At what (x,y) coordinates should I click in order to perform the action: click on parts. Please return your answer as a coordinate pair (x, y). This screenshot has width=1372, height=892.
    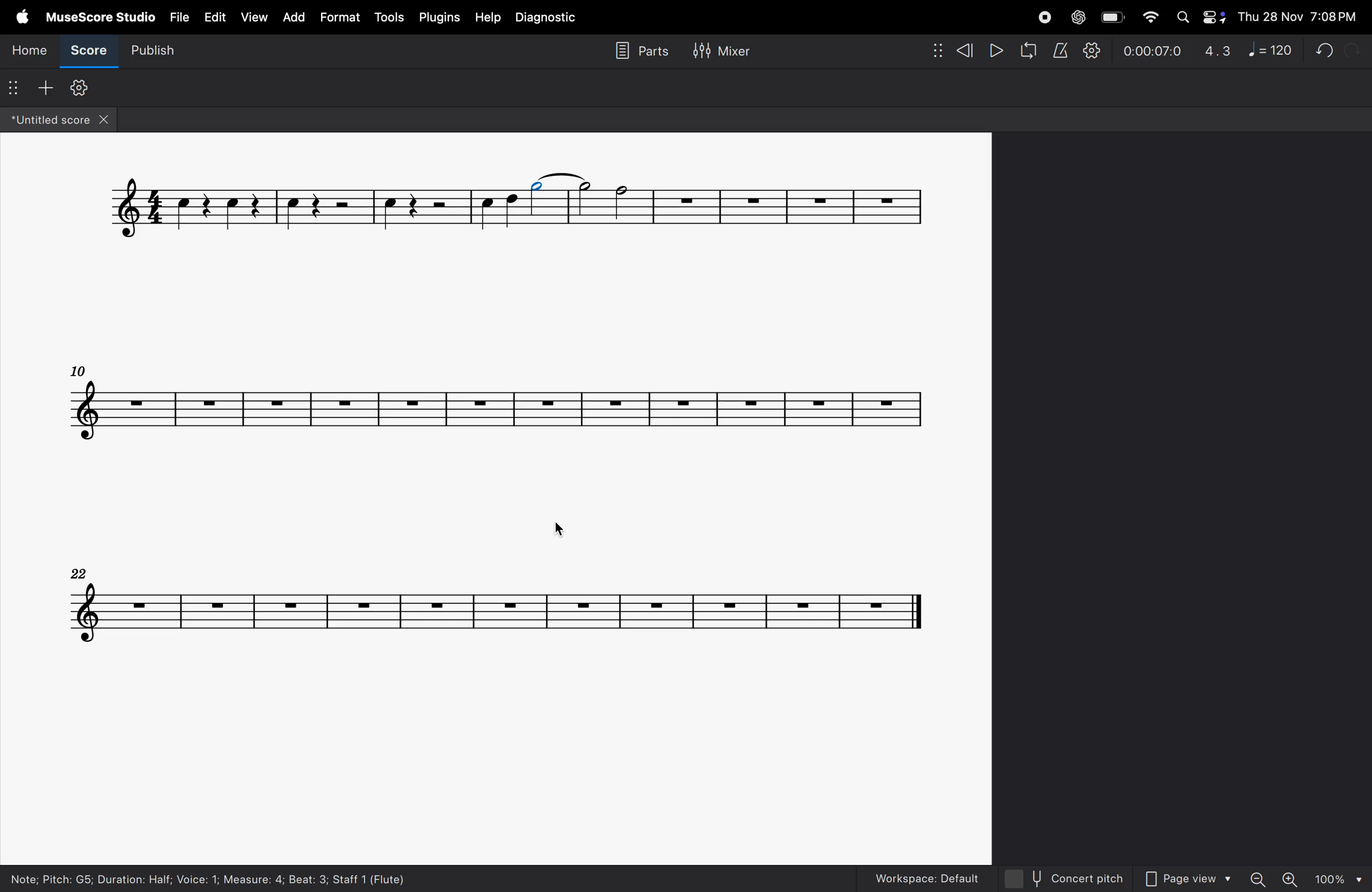
    Looking at the image, I should click on (638, 53).